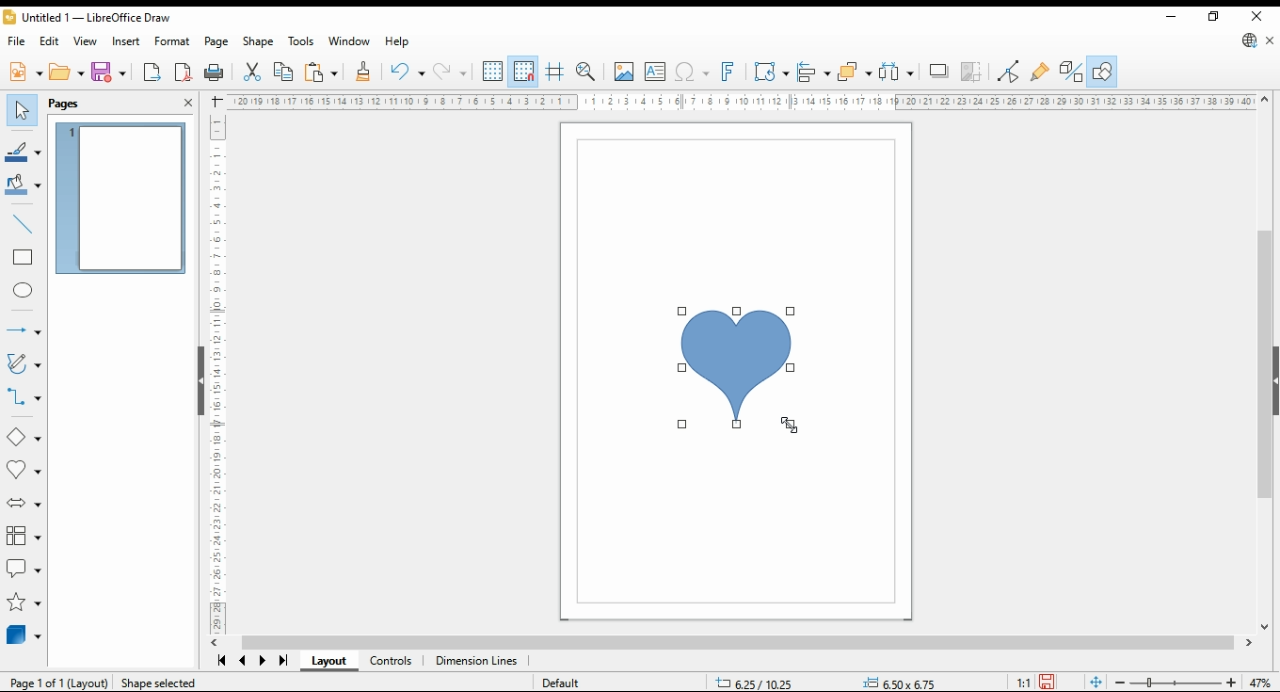 The height and width of the screenshot is (692, 1280). I want to click on new shape, so click(733, 369).